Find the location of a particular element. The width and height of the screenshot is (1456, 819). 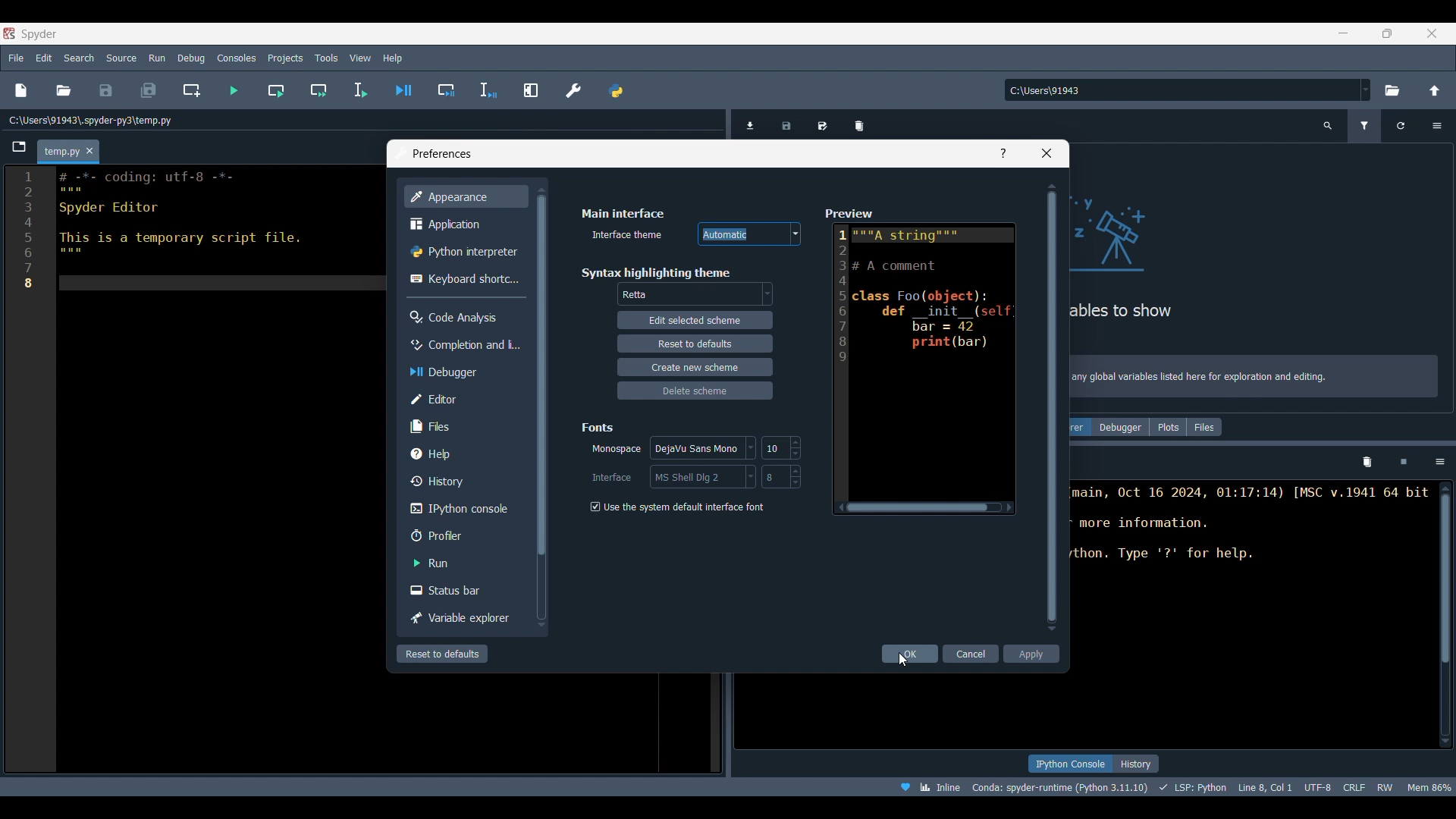

editor pane is located at coordinates (200, 232).